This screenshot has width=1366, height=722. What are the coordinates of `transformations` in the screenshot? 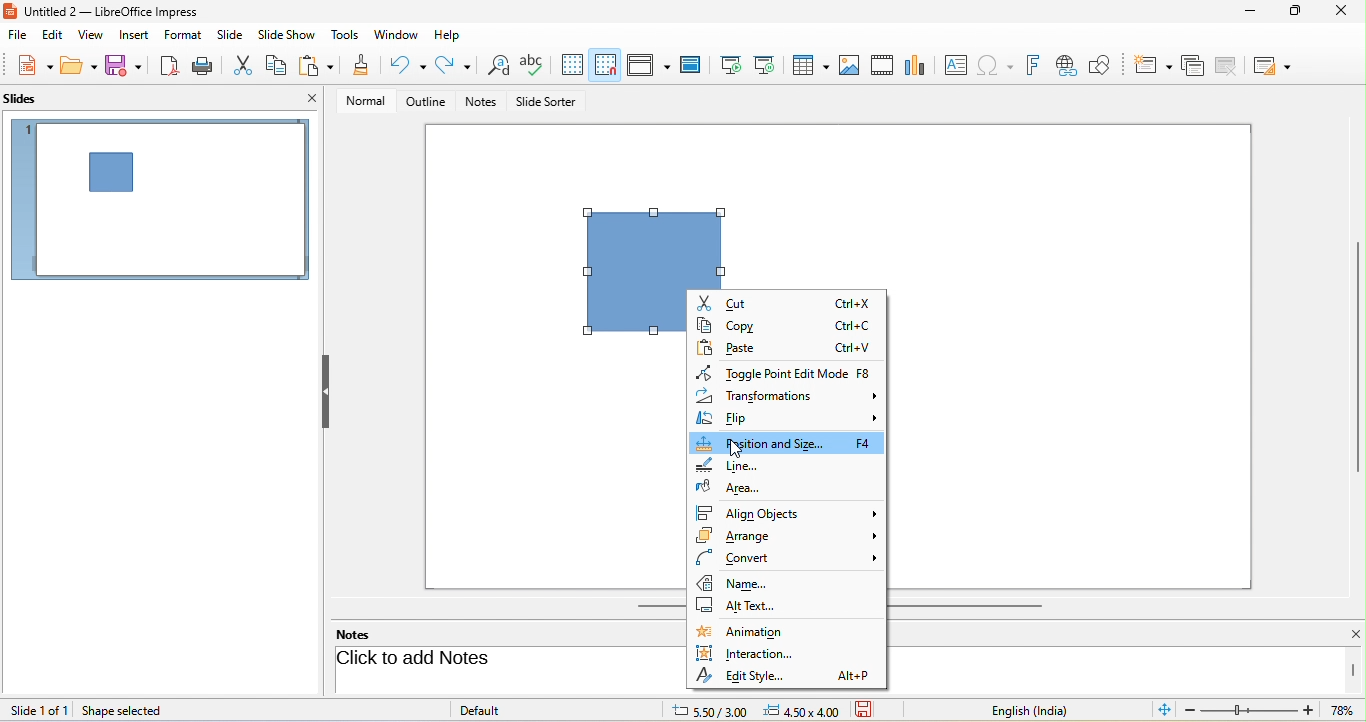 It's located at (787, 397).